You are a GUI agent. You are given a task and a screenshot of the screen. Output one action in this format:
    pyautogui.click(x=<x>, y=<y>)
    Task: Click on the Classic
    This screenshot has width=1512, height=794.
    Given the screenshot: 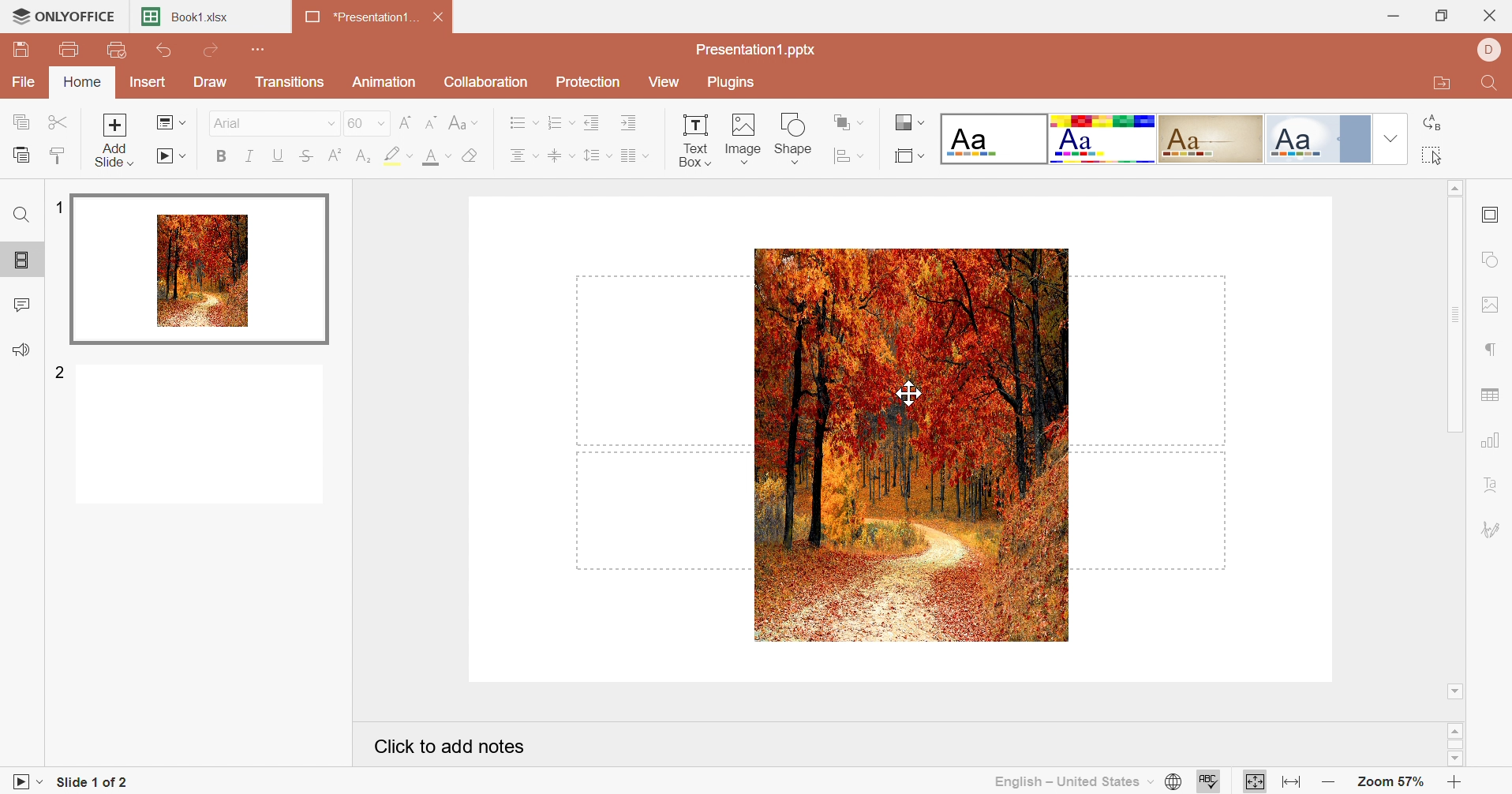 What is the action you would take?
    pyautogui.click(x=1213, y=138)
    